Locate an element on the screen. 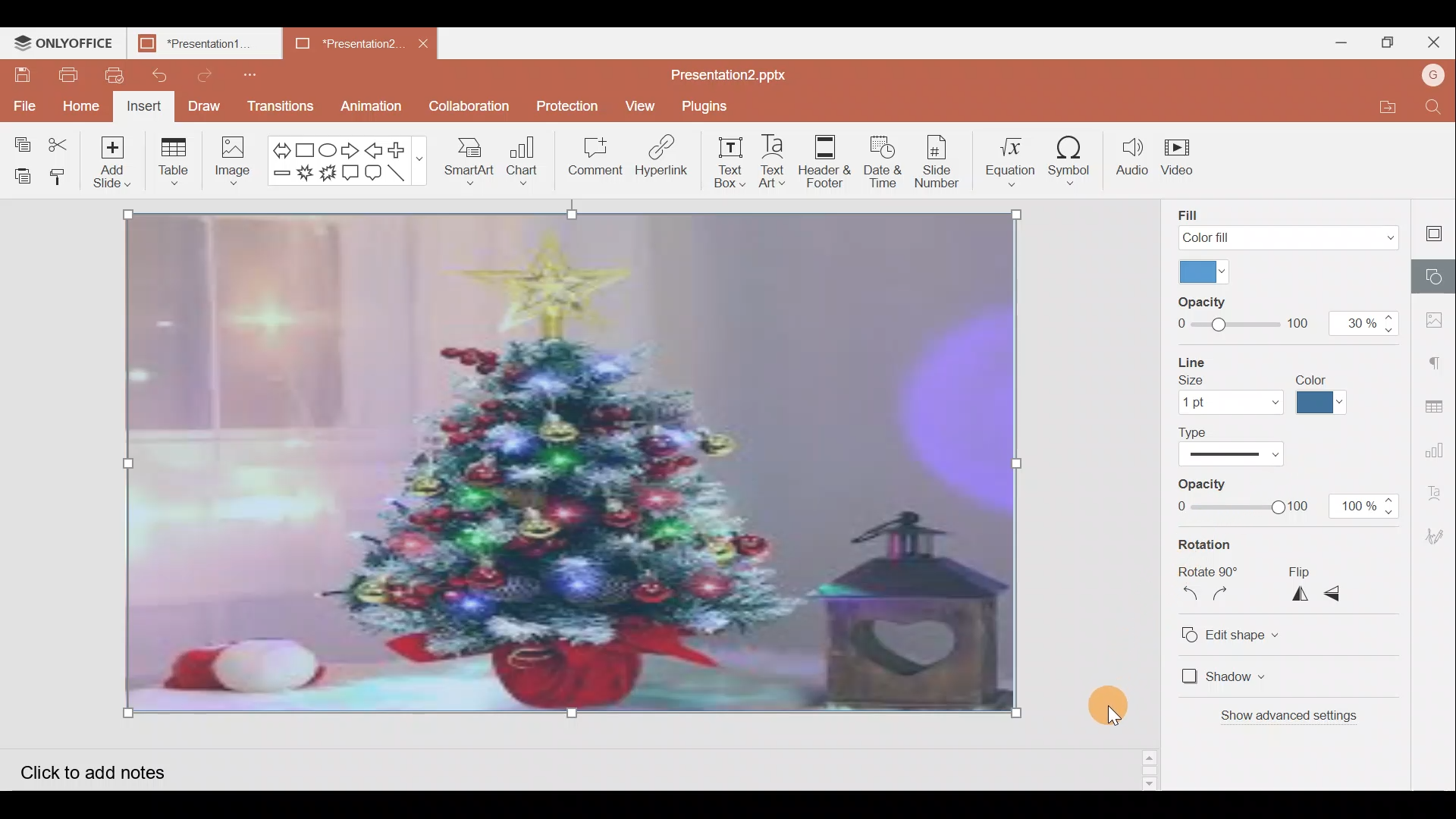 The height and width of the screenshot is (819, 1456). Minus is located at coordinates (281, 177).